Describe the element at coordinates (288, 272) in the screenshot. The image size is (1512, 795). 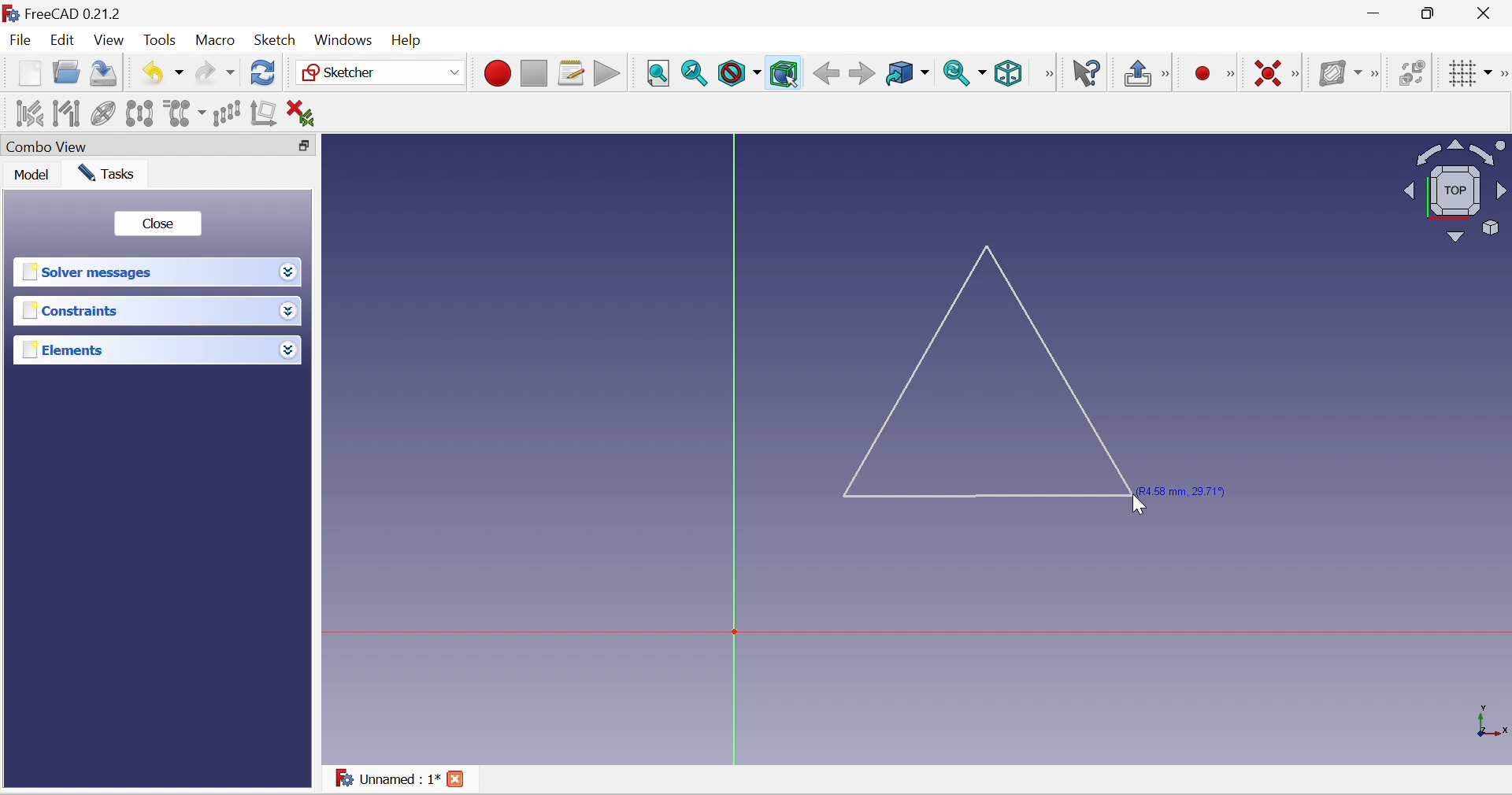
I see `Drop down` at that location.